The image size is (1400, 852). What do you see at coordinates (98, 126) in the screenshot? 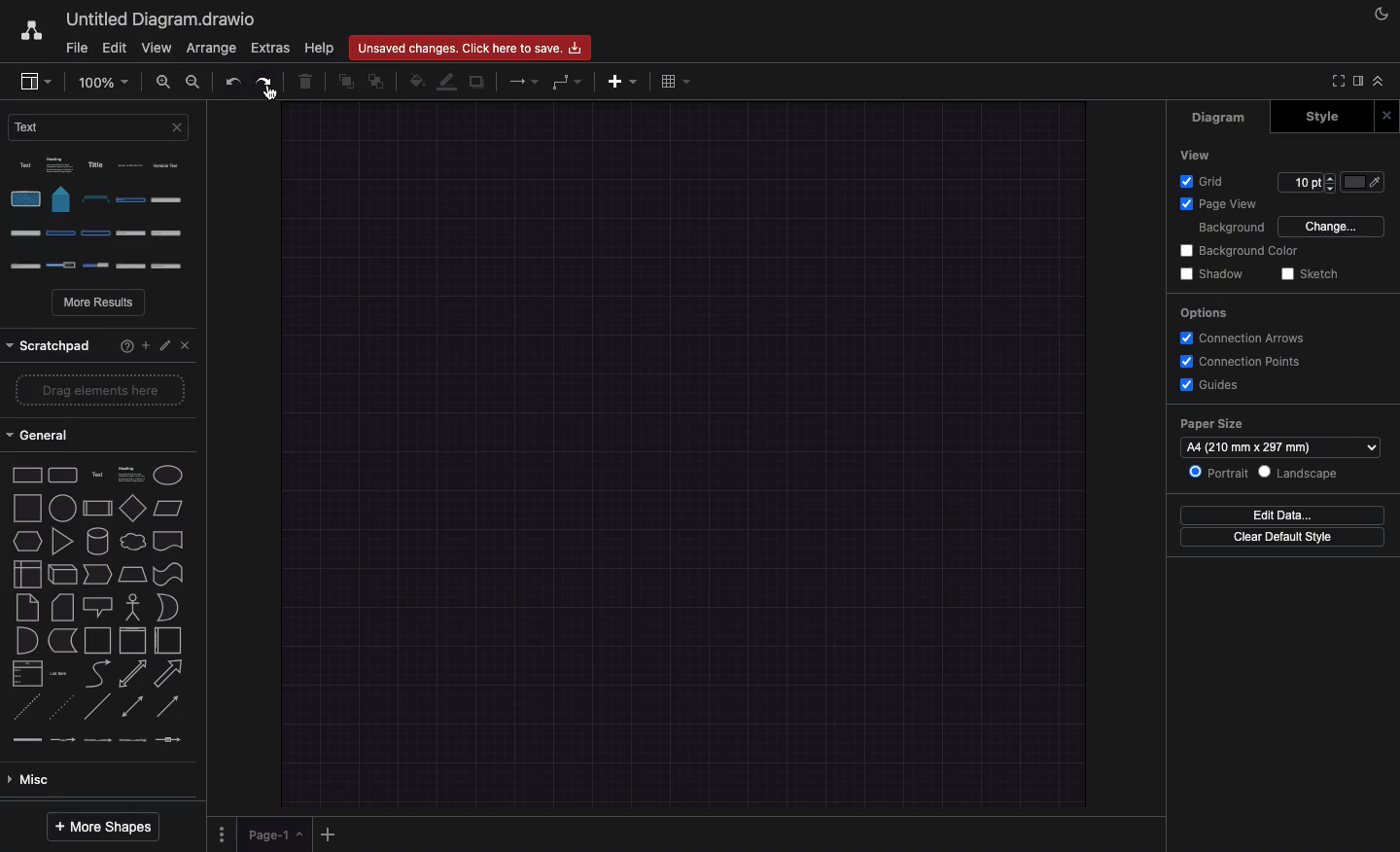
I see `Text` at bounding box center [98, 126].